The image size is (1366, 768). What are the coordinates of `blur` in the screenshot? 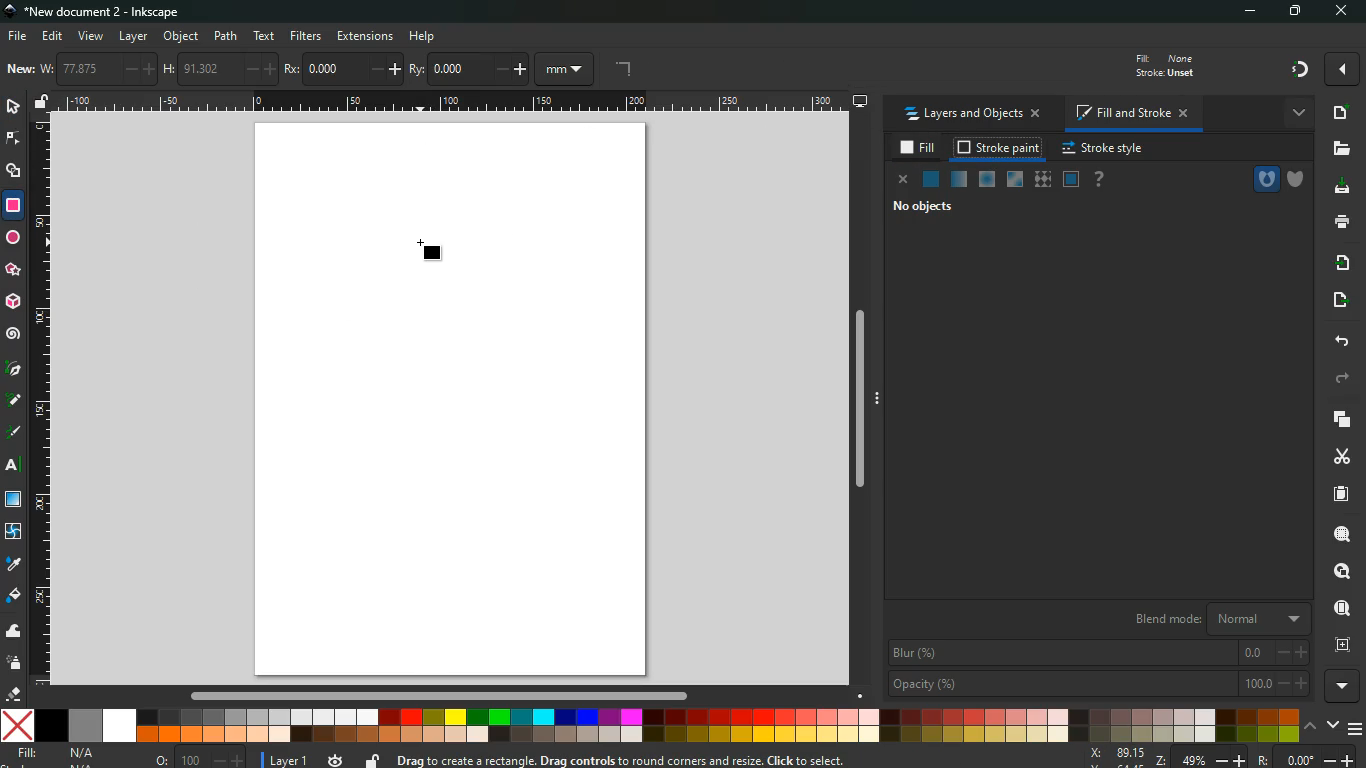 It's located at (1095, 652).